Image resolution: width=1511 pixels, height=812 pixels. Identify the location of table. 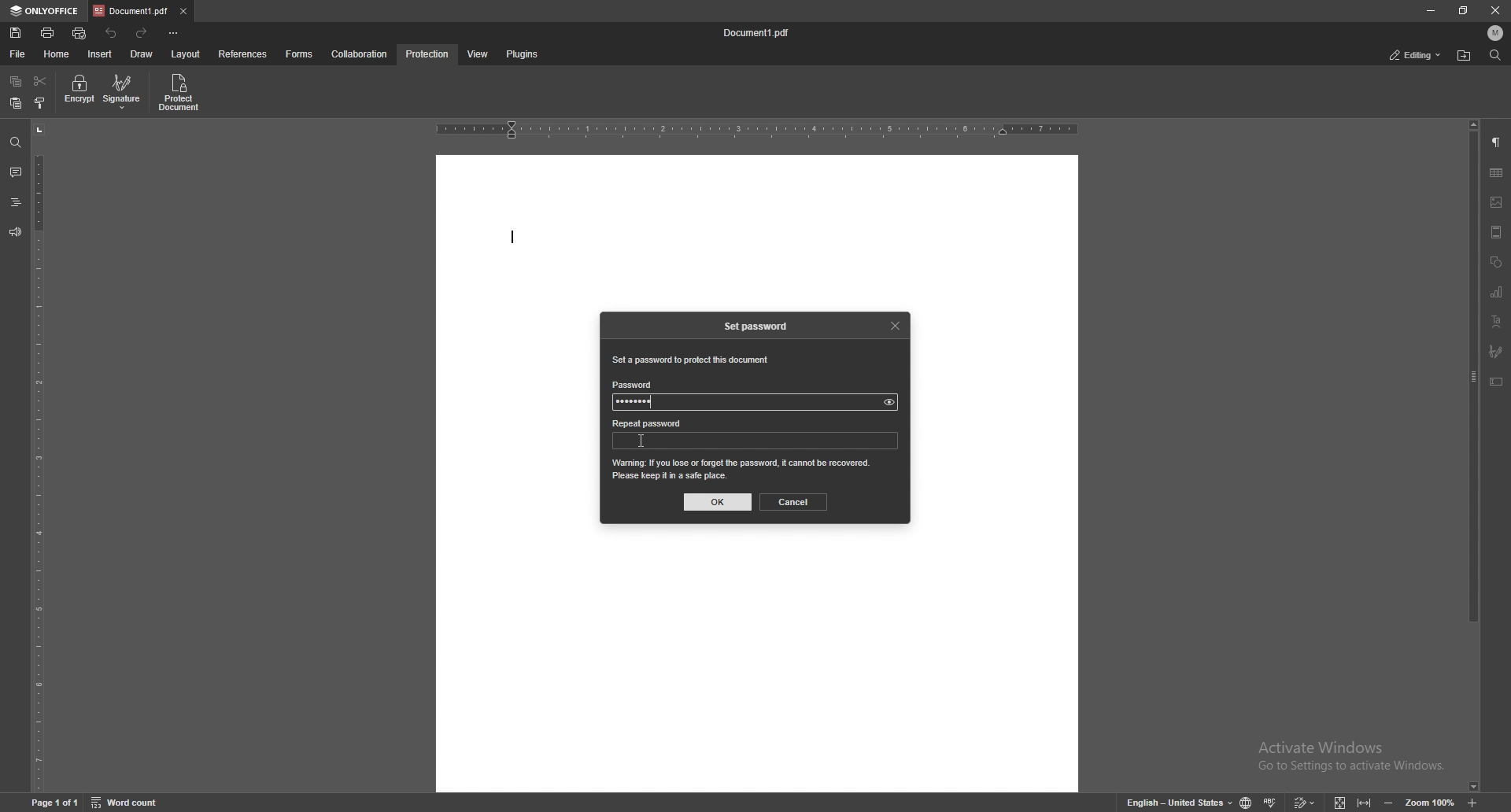
(1498, 174).